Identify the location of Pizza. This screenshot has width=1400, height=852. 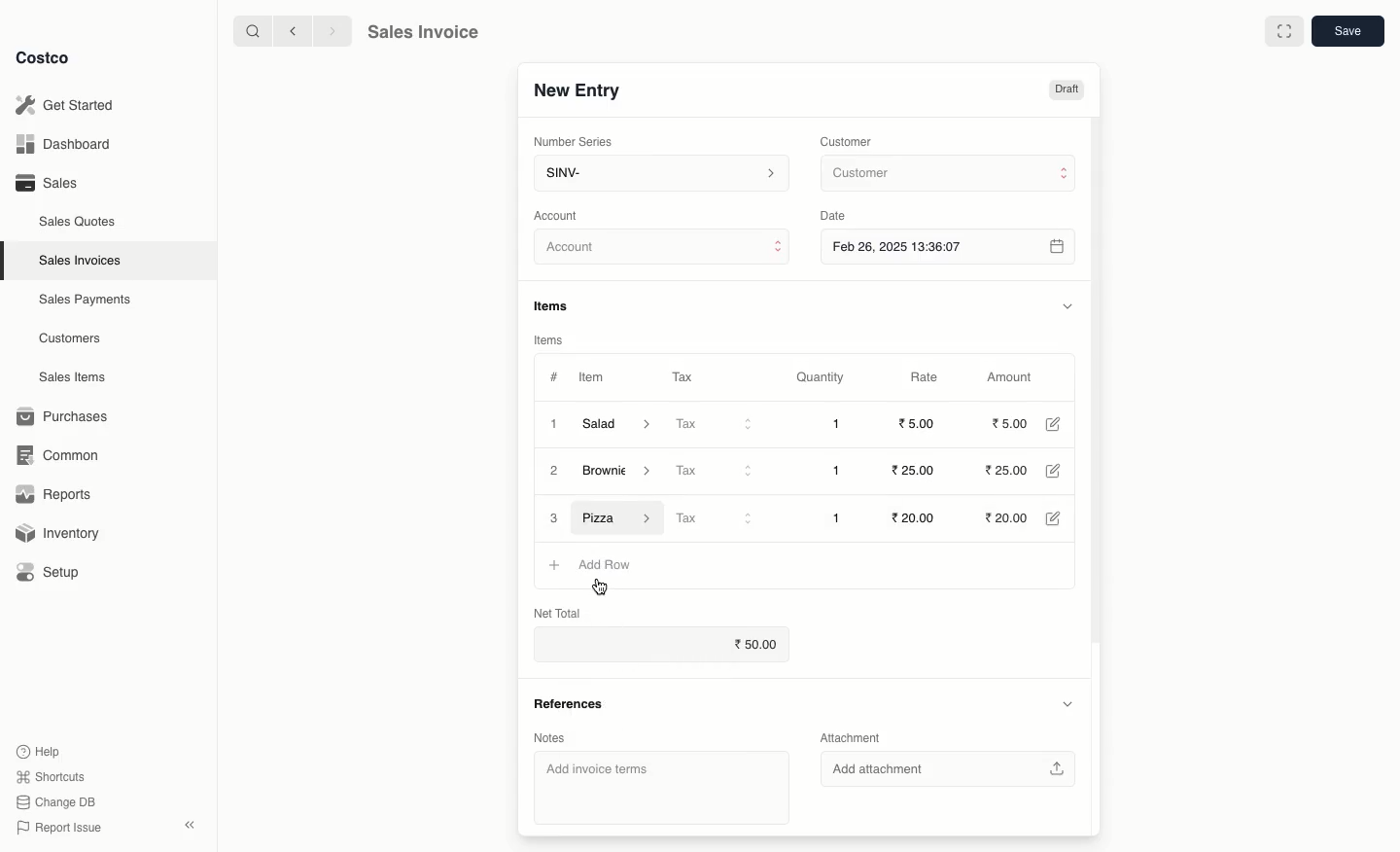
(614, 516).